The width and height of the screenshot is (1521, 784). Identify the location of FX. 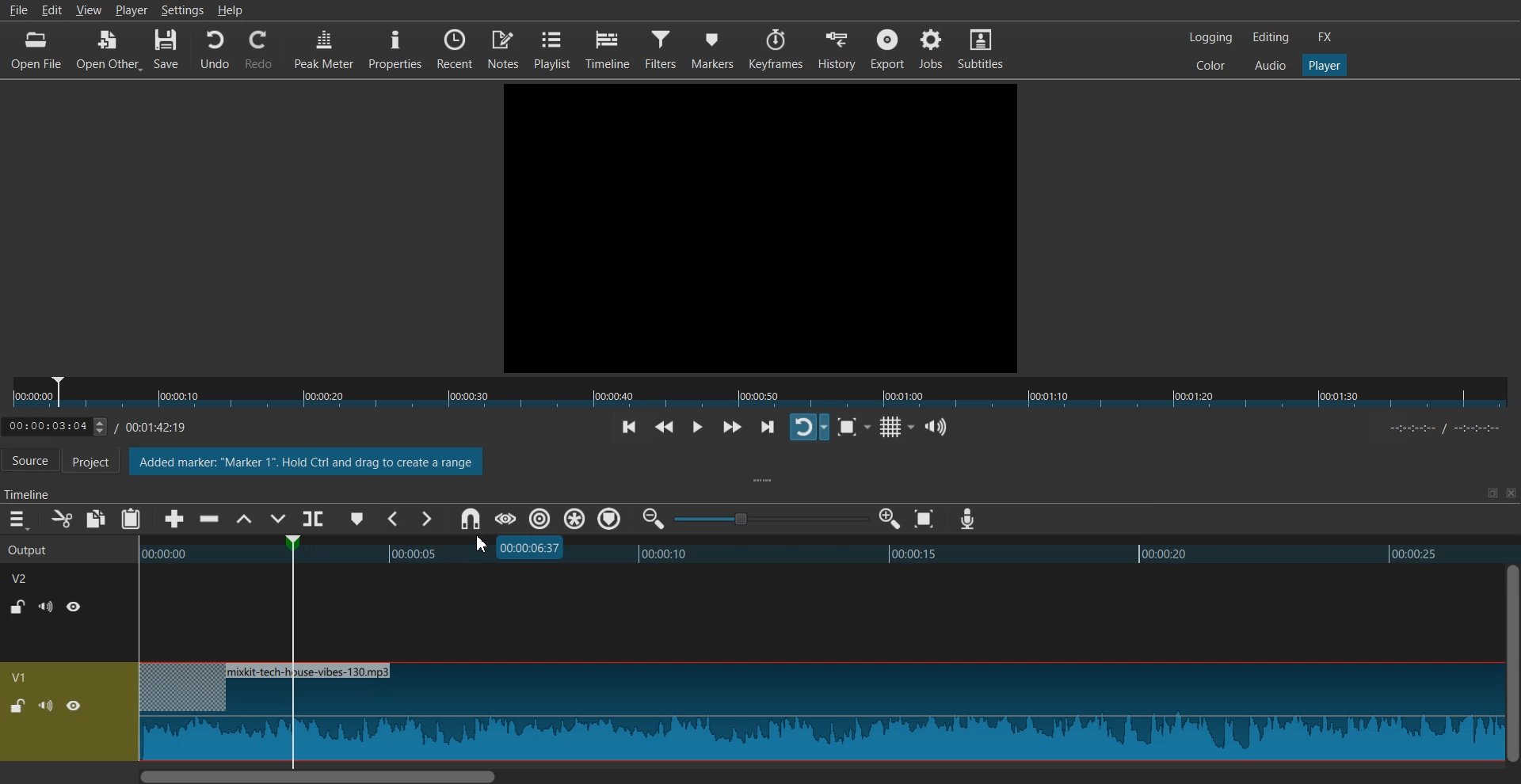
(1325, 37).